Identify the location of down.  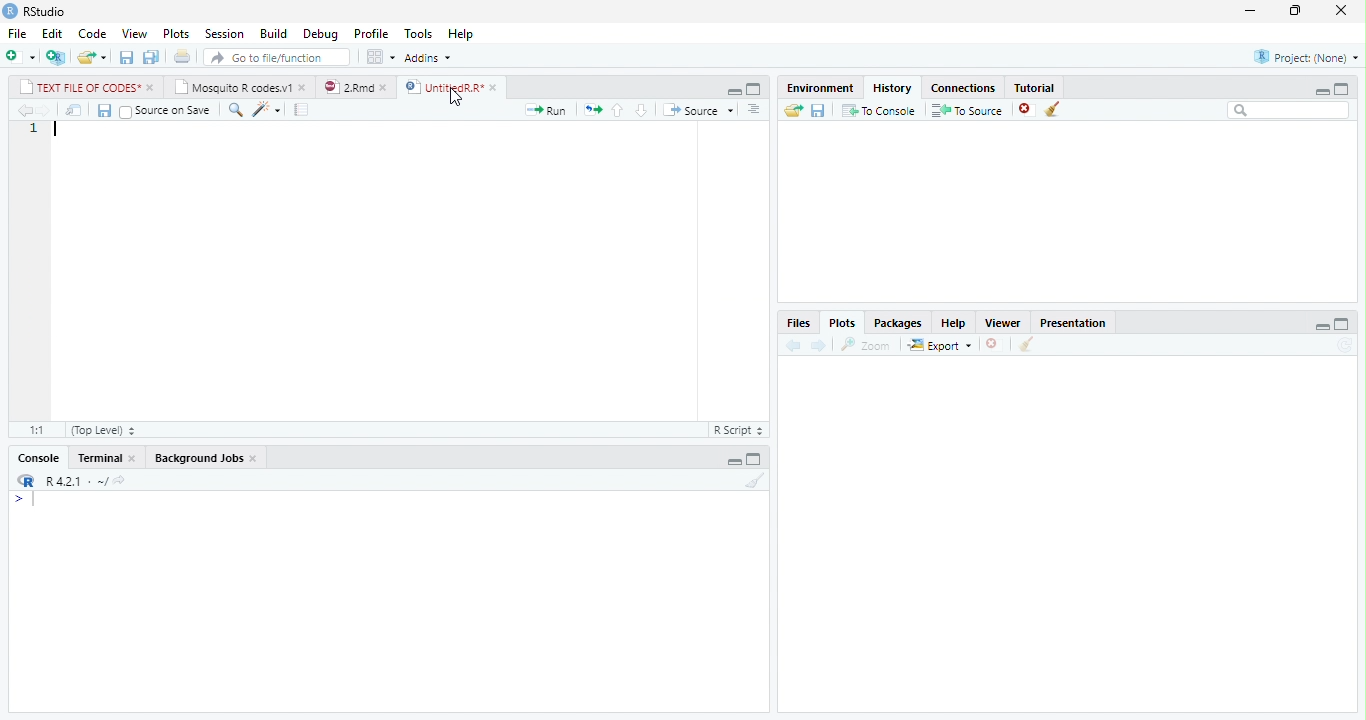
(640, 111).